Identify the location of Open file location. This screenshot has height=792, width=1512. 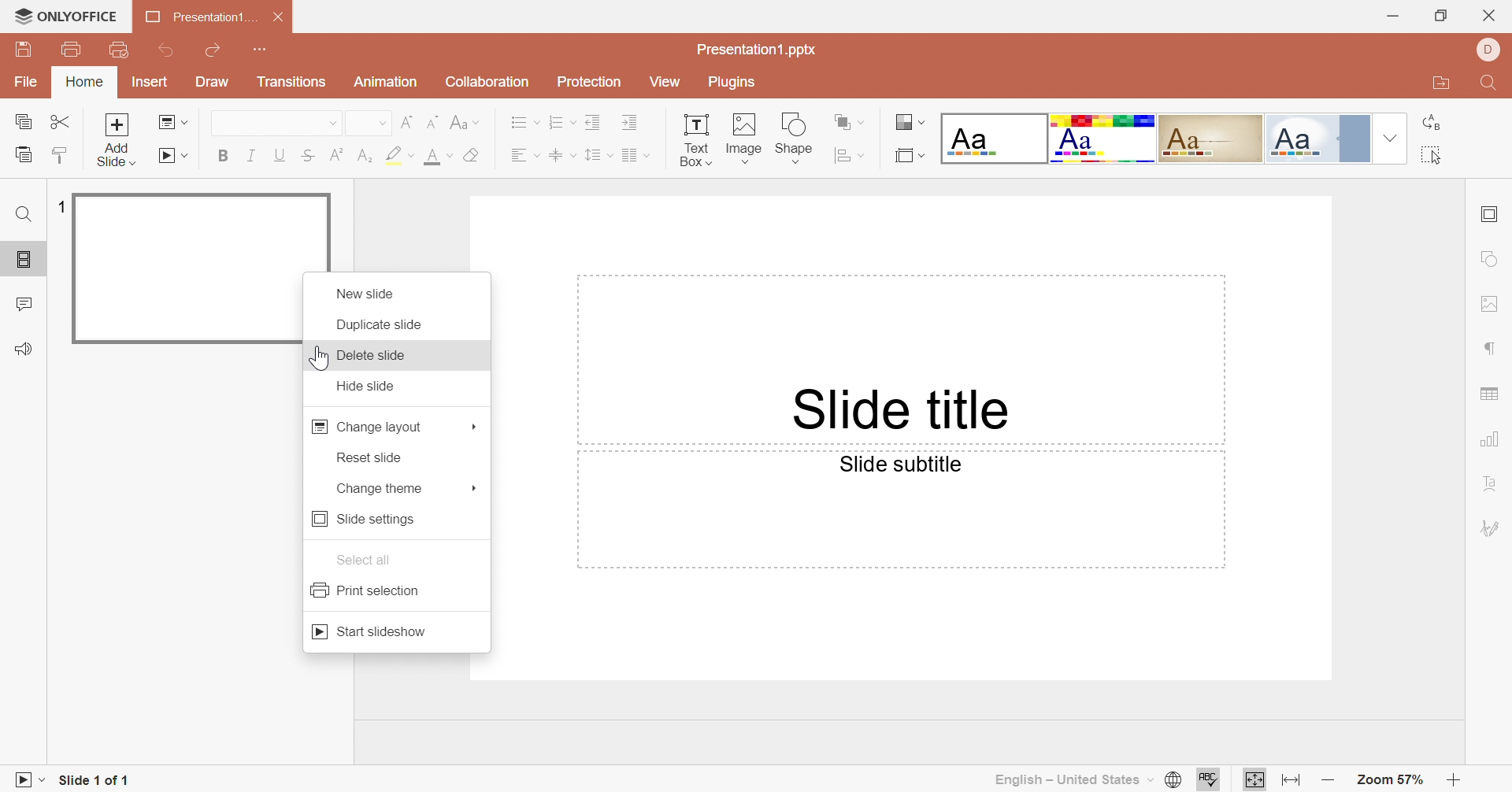
(1436, 85).